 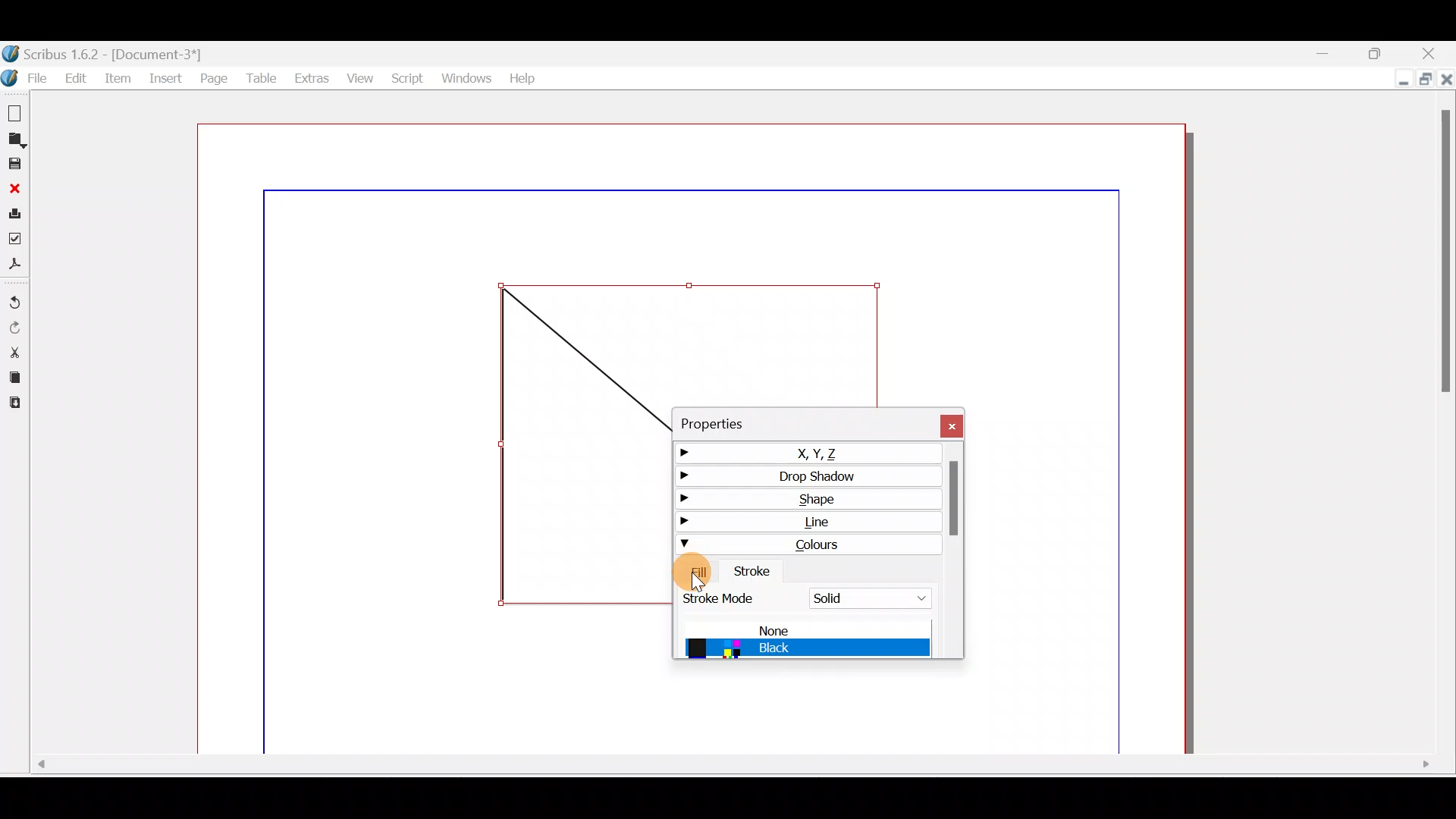 What do you see at coordinates (17, 297) in the screenshot?
I see `Undo` at bounding box center [17, 297].